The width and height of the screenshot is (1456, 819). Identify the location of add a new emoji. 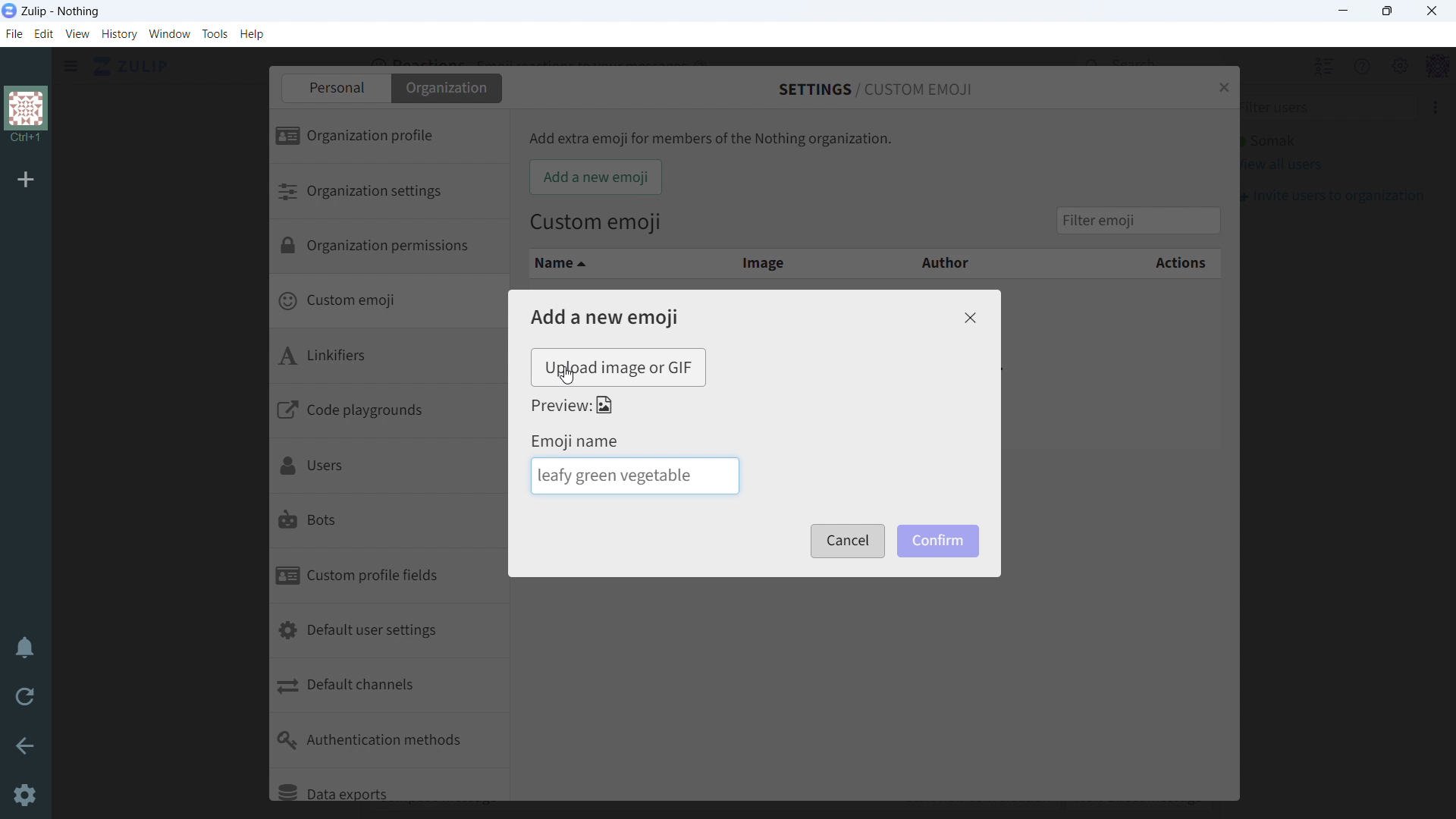
(604, 317).